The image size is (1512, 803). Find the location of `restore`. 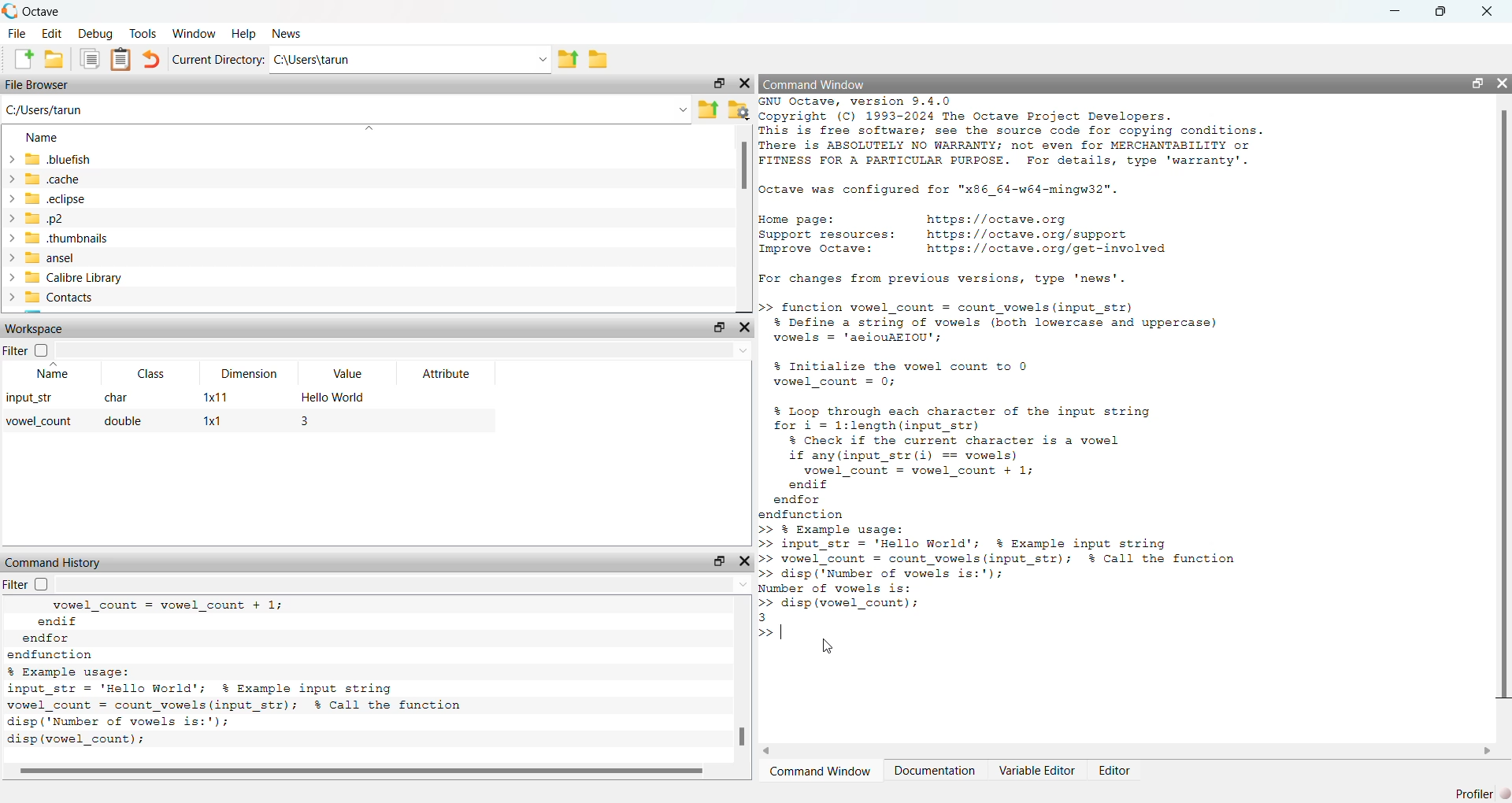

restore is located at coordinates (1441, 11).